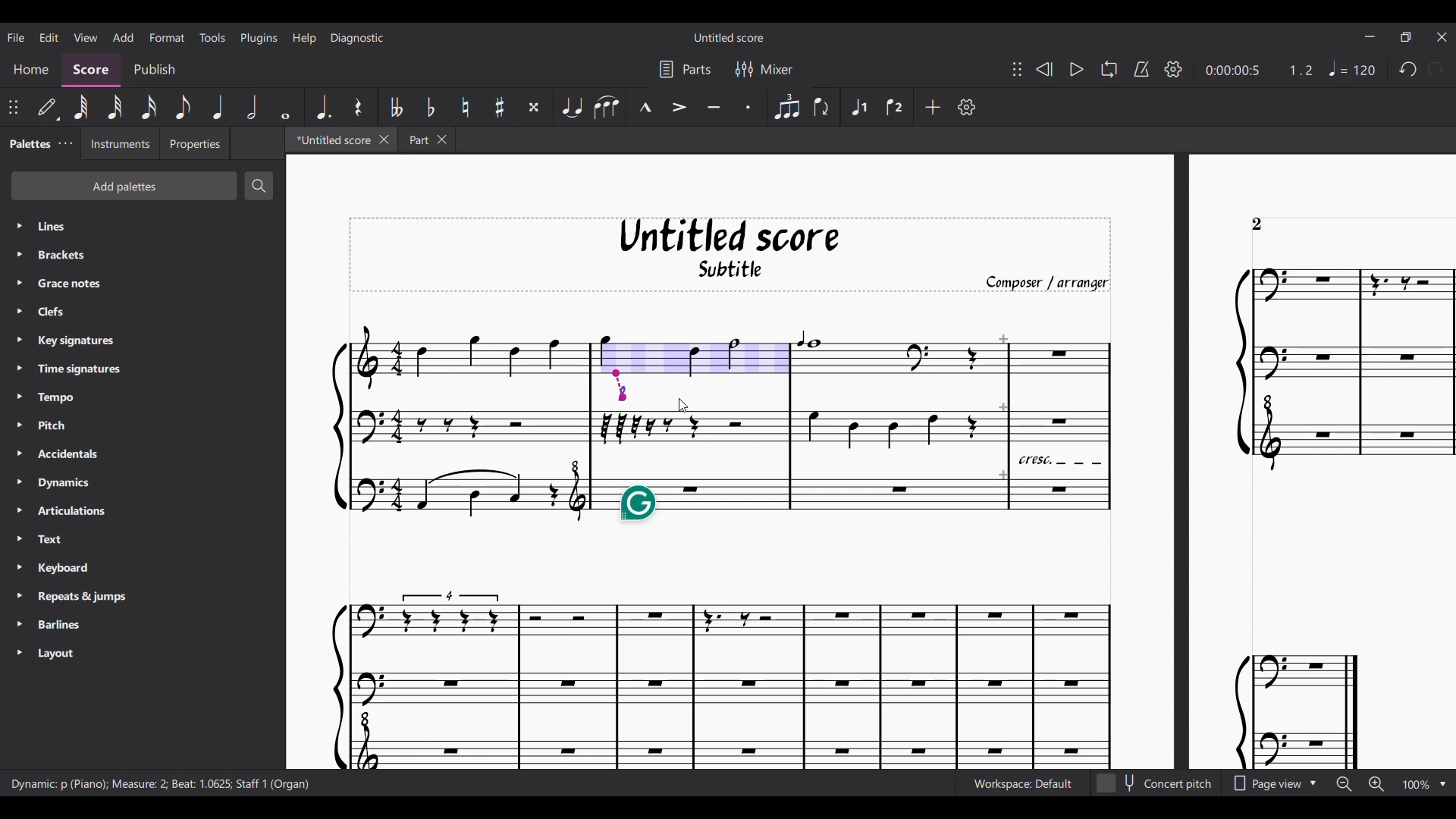  Describe the element at coordinates (115, 107) in the screenshot. I see `32nd note` at that location.